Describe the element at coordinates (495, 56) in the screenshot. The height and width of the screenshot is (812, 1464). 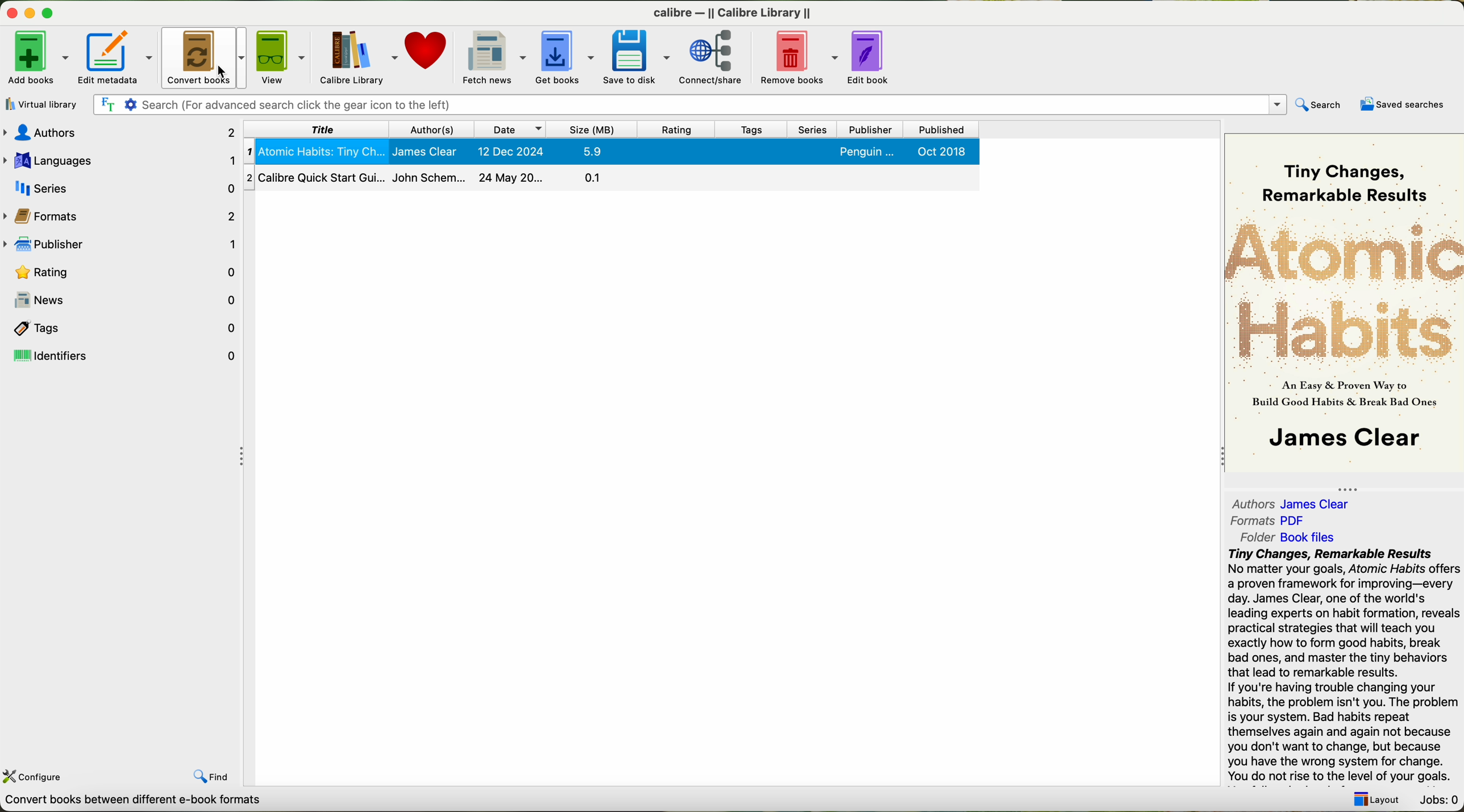
I see `fetch news` at that location.